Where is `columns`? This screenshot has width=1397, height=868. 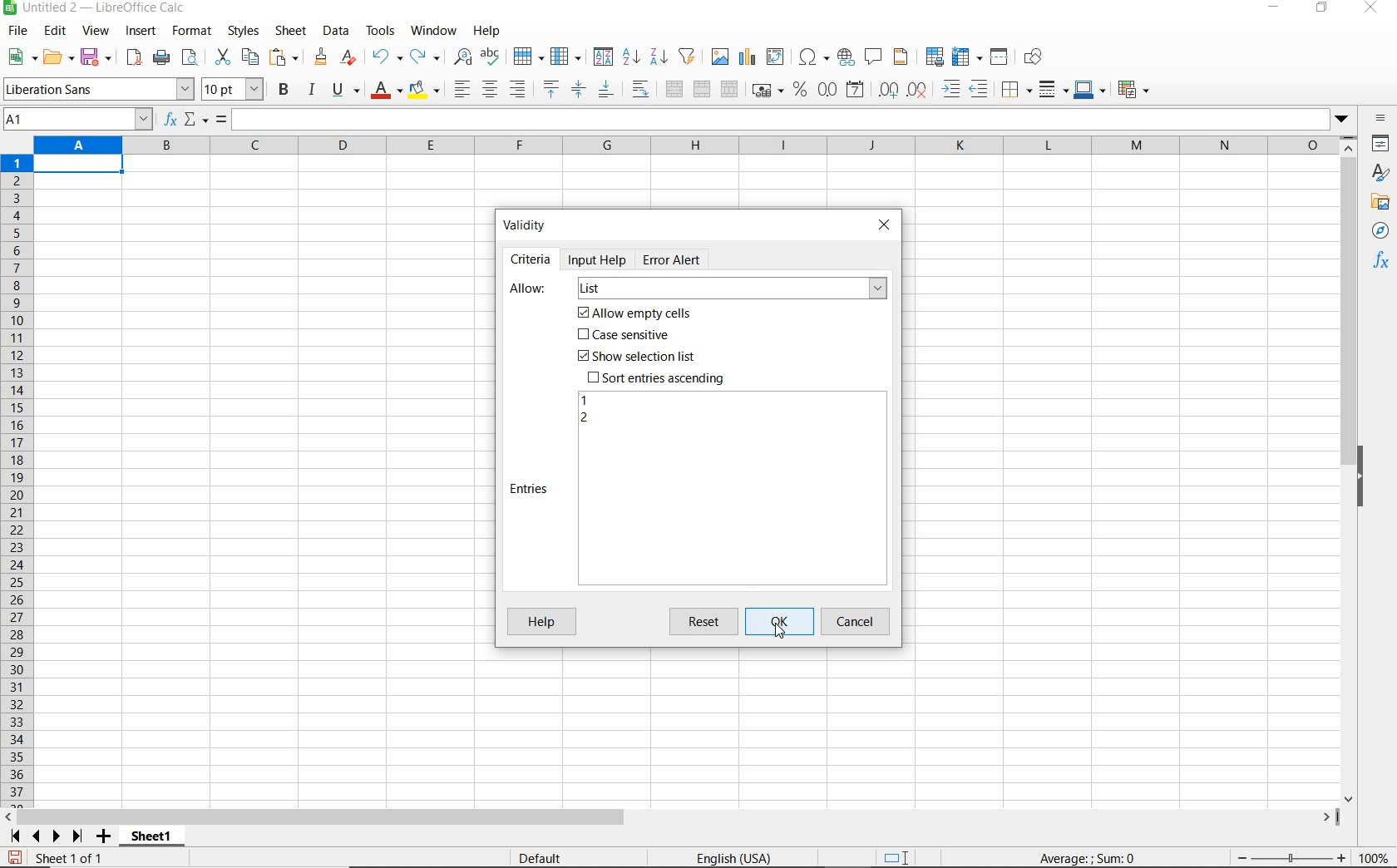
columns is located at coordinates (684, 146).